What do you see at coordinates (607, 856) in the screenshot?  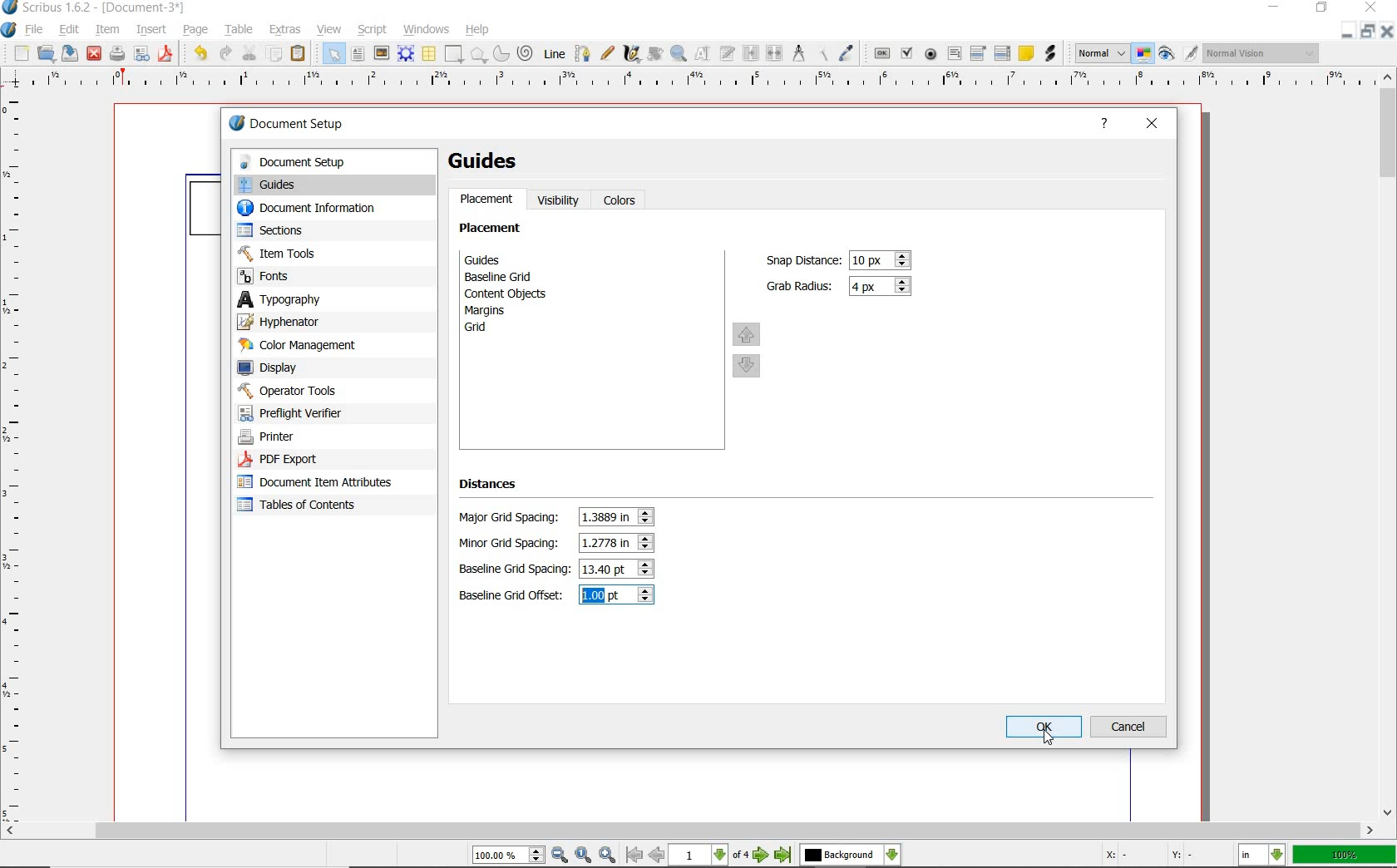 I see `zoom in` at bounding box center [607, 856].